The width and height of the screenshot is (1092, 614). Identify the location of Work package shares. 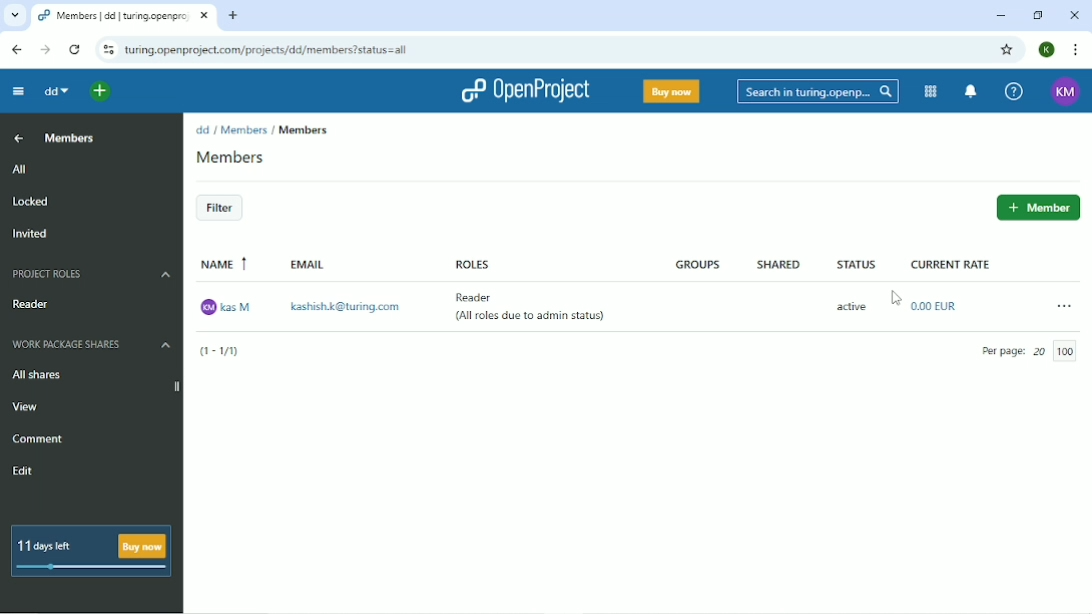
(92, 345).